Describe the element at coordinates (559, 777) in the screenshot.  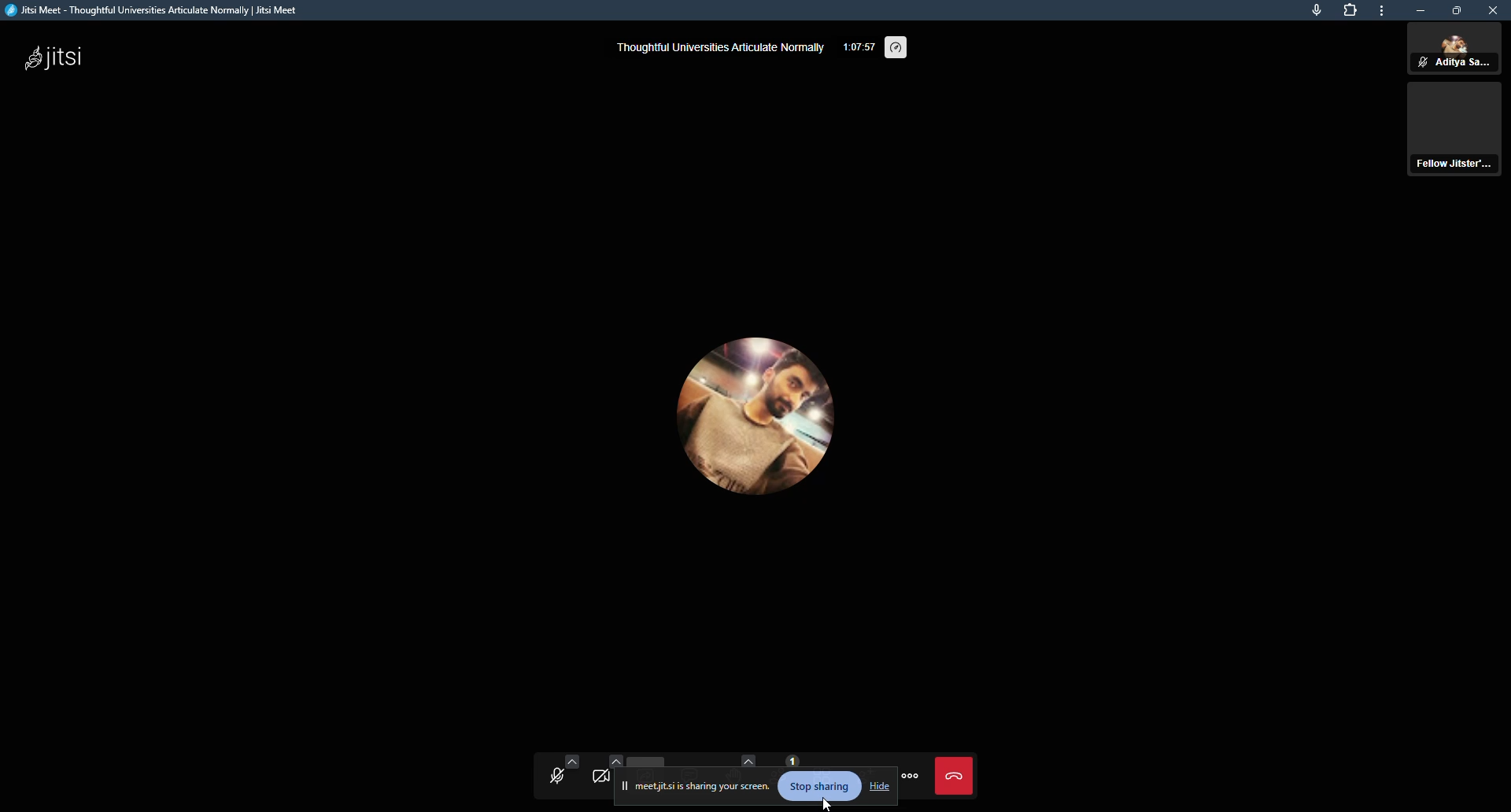
I see `start mic` at that location.